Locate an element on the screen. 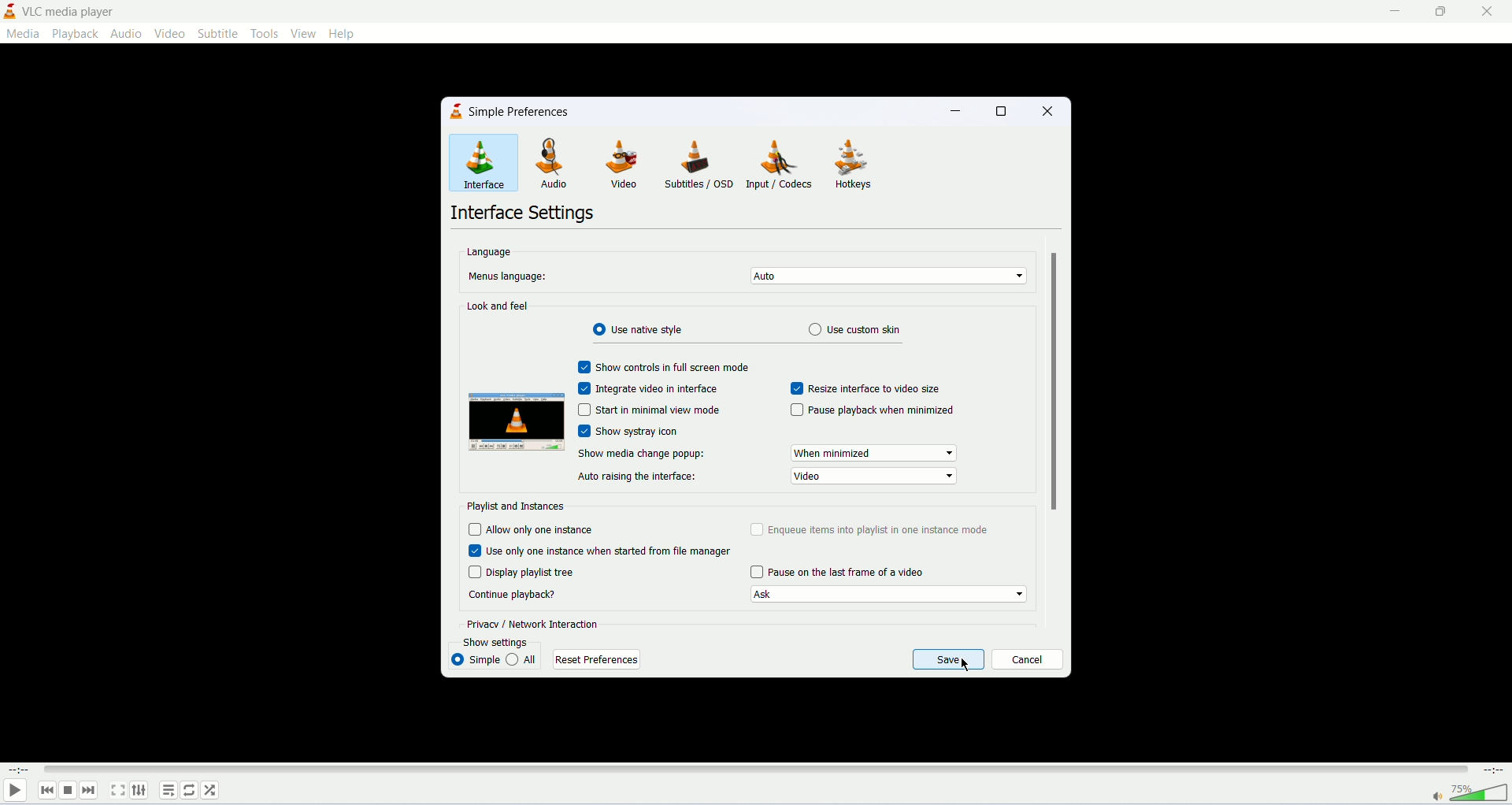  subtitles is located at coordinates (697, 164).